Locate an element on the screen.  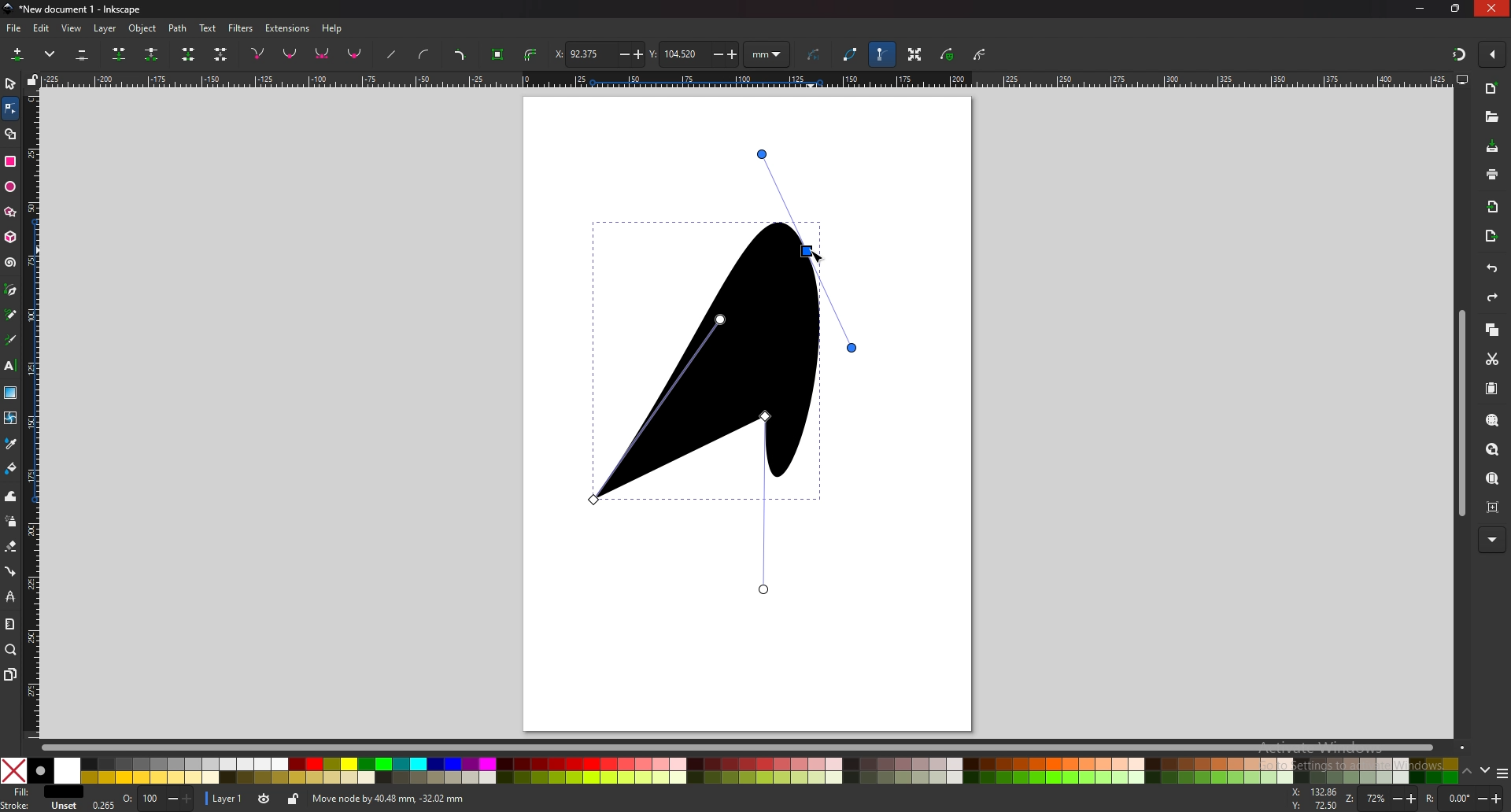
redo is located at coordinates (1492, 297).